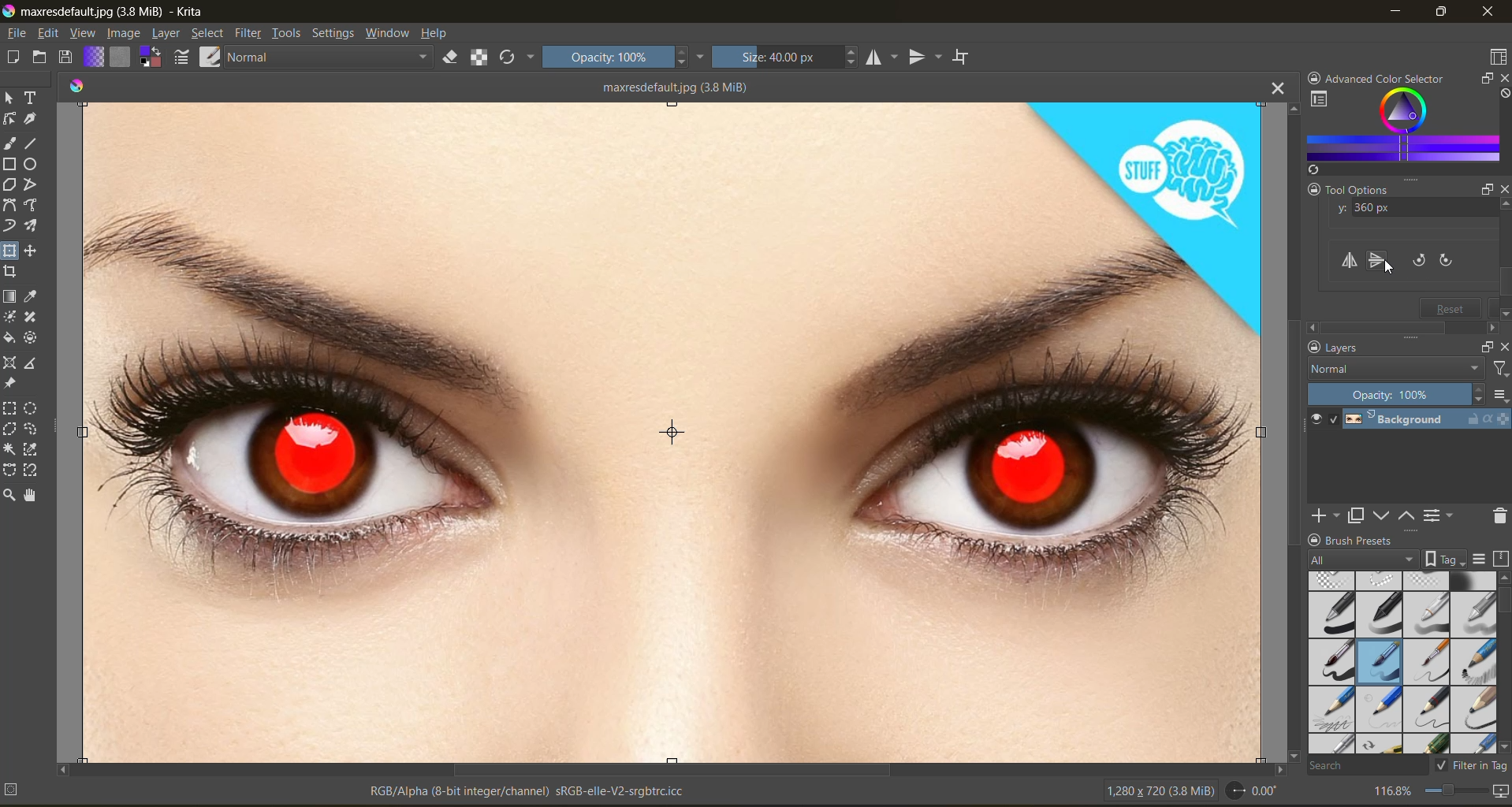 This screenshot has width=1512, height=807. I want to click on zoom factor, so click(1395, 793).